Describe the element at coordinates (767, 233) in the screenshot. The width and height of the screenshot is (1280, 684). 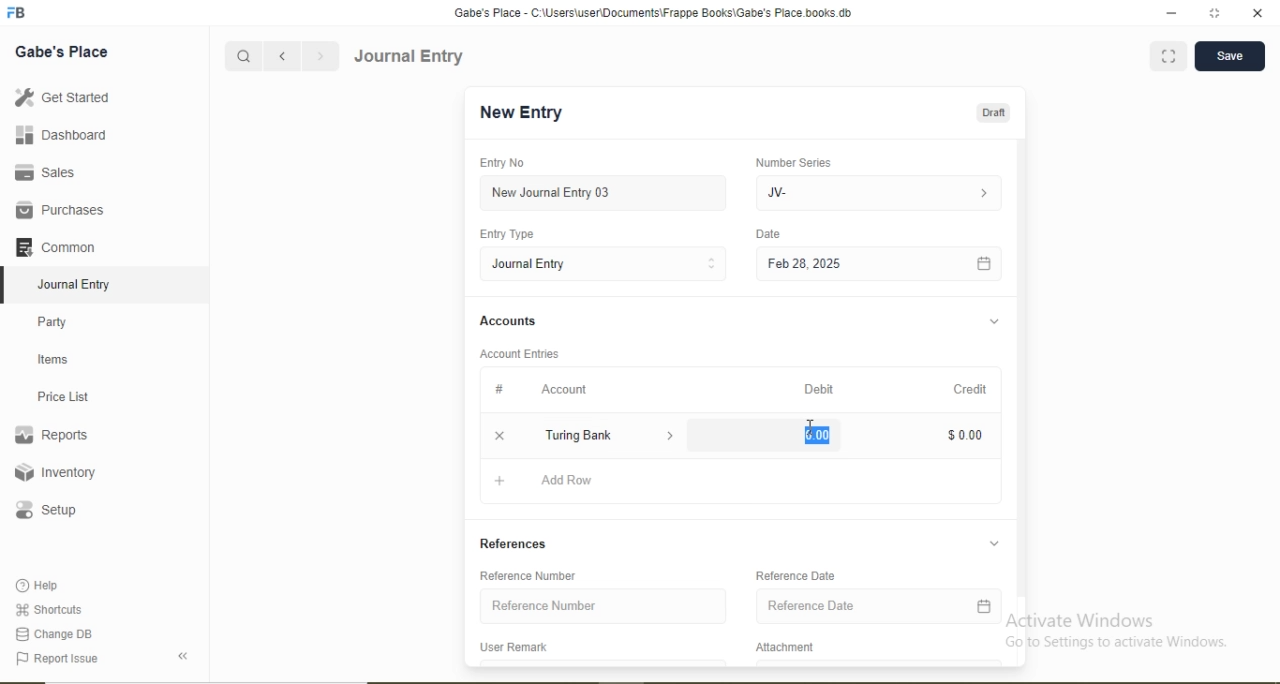
I see `Date` at that location.